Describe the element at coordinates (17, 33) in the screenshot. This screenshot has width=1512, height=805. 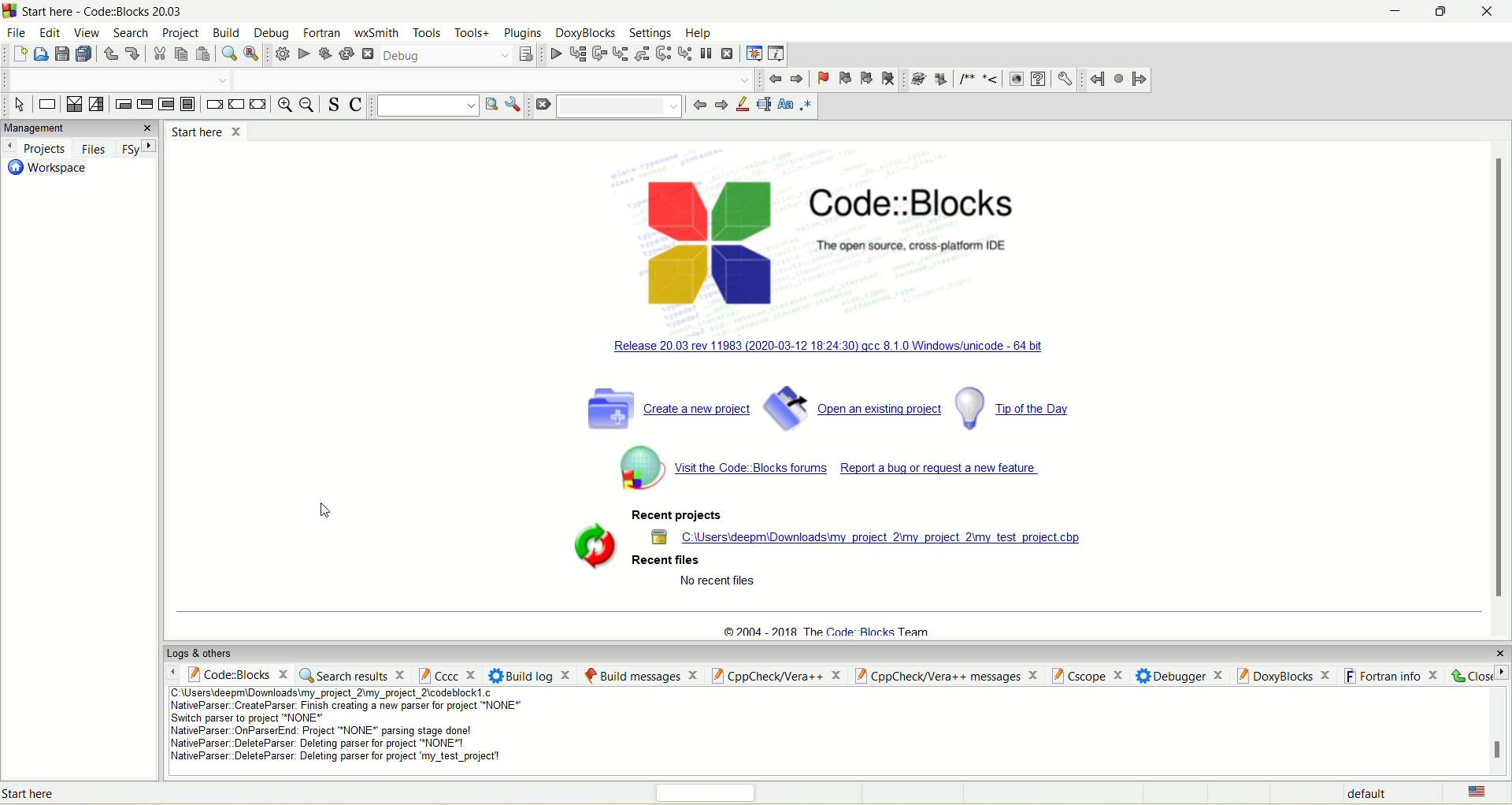
I see `file` at that location.